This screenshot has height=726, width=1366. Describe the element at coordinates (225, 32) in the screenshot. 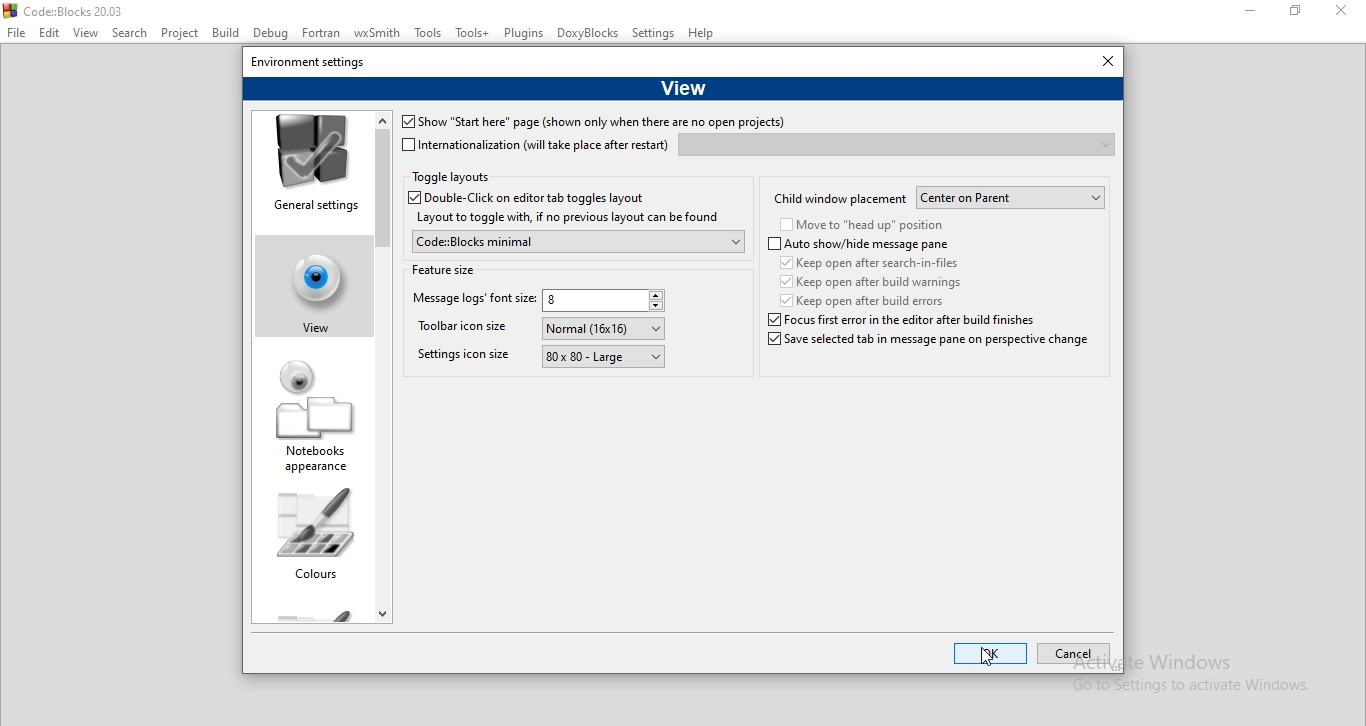

I see `Bulid` at that location.